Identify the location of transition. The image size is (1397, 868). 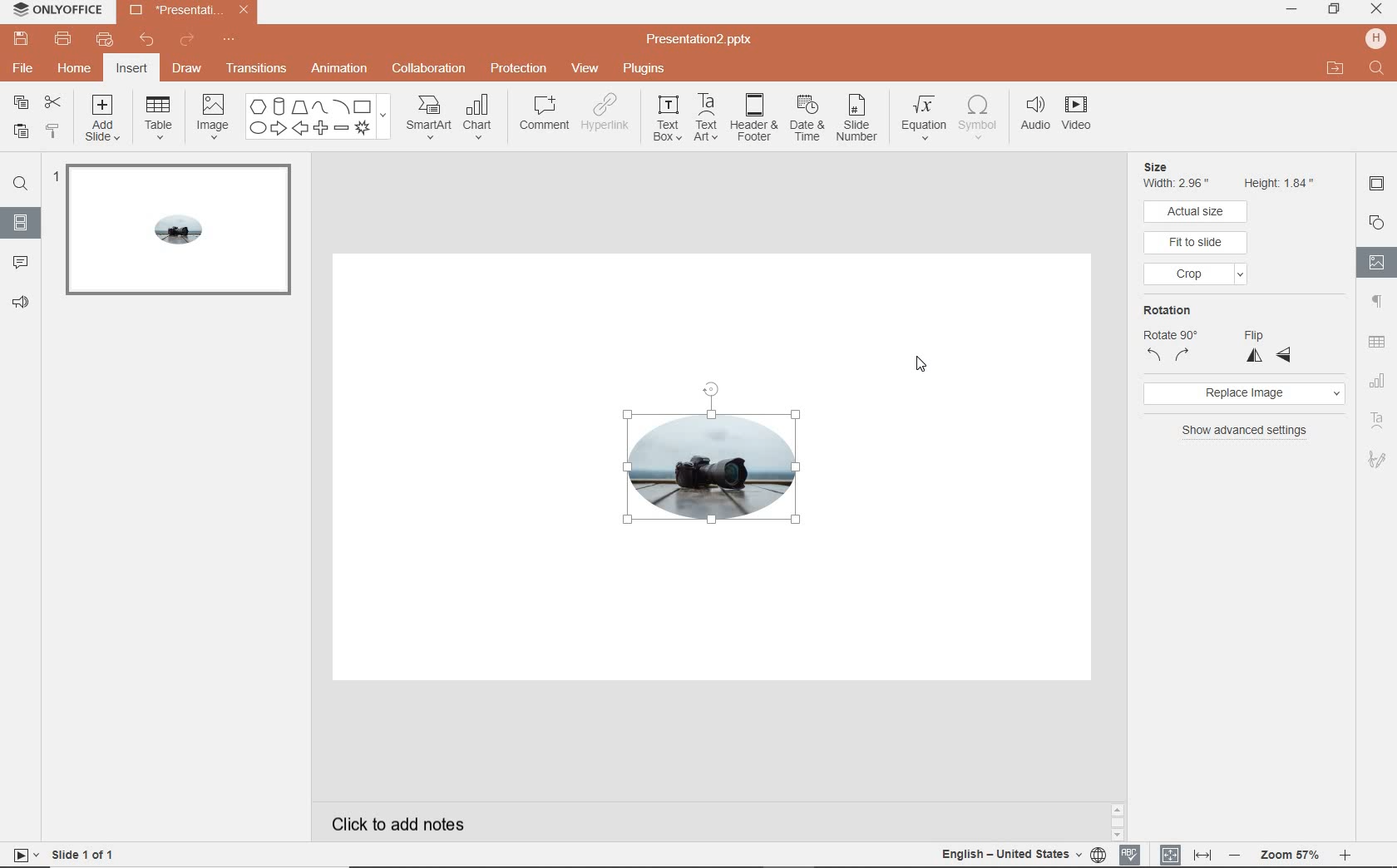
(256, 68).